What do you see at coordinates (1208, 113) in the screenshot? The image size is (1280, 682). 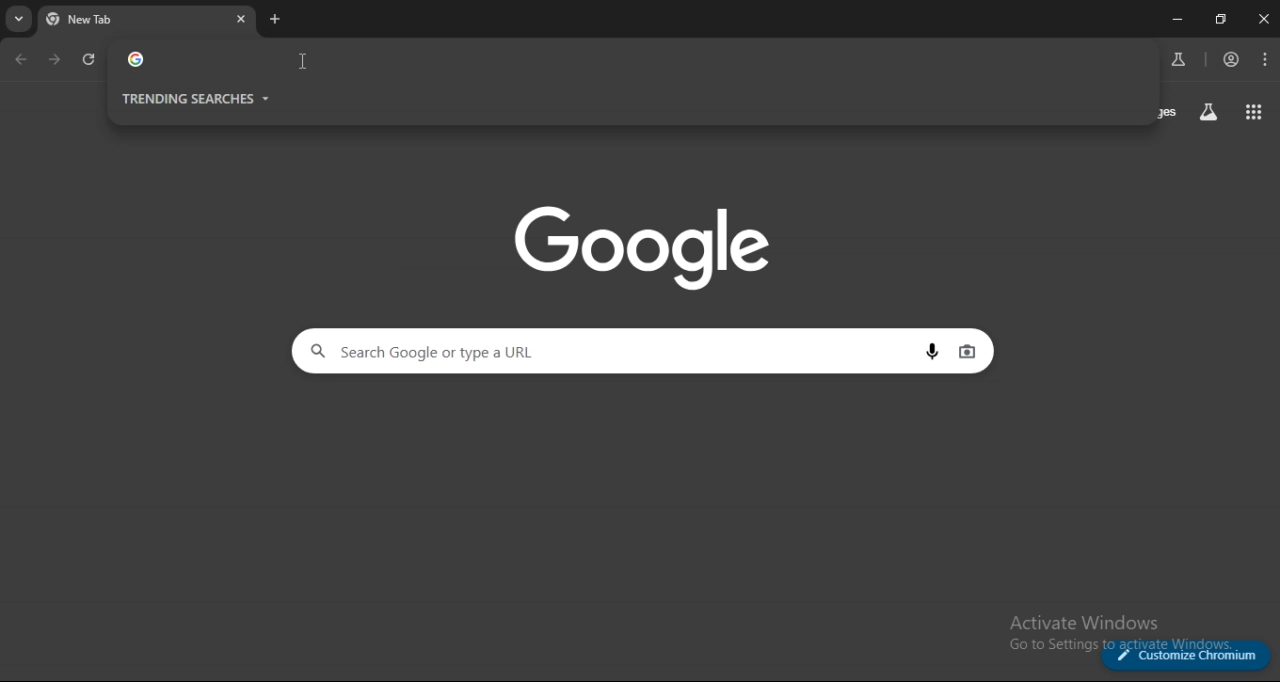 I see `search labs` at bounding box center [1208, 113].